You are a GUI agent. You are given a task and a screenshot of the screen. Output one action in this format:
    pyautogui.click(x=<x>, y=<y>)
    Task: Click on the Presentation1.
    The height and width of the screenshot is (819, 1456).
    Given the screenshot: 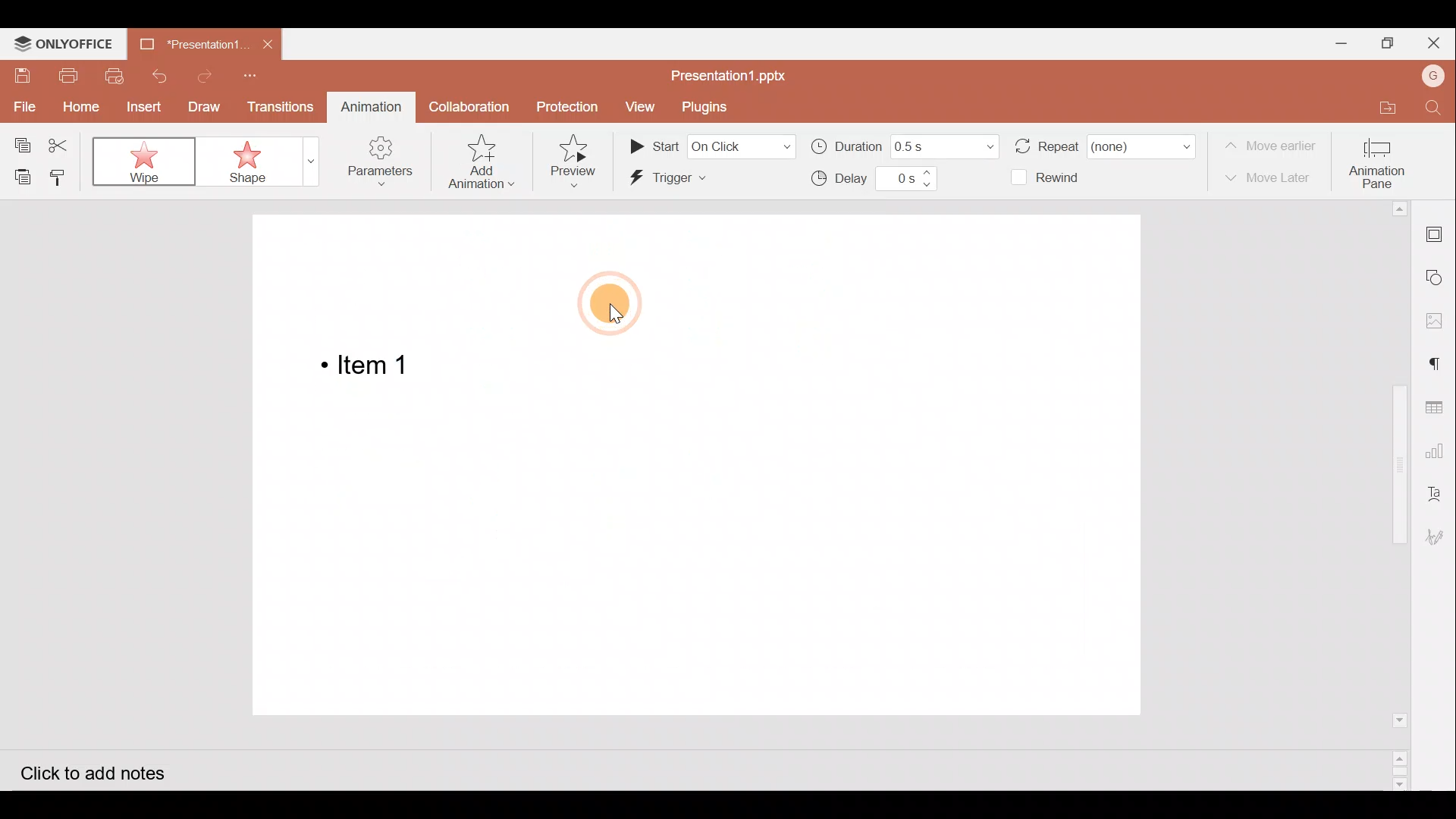 What is the action you would take?
    pyautogui.click(x=186, y=46)
    